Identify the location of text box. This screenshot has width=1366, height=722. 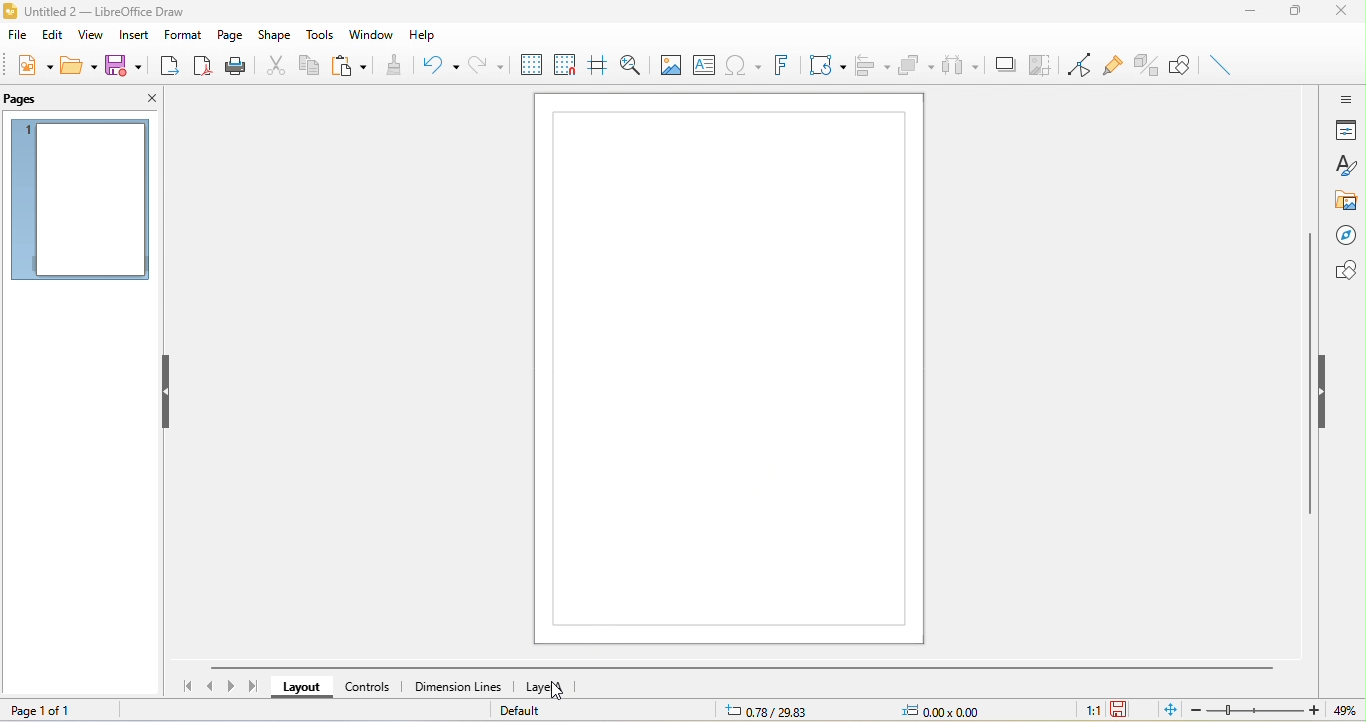
(702, 66).